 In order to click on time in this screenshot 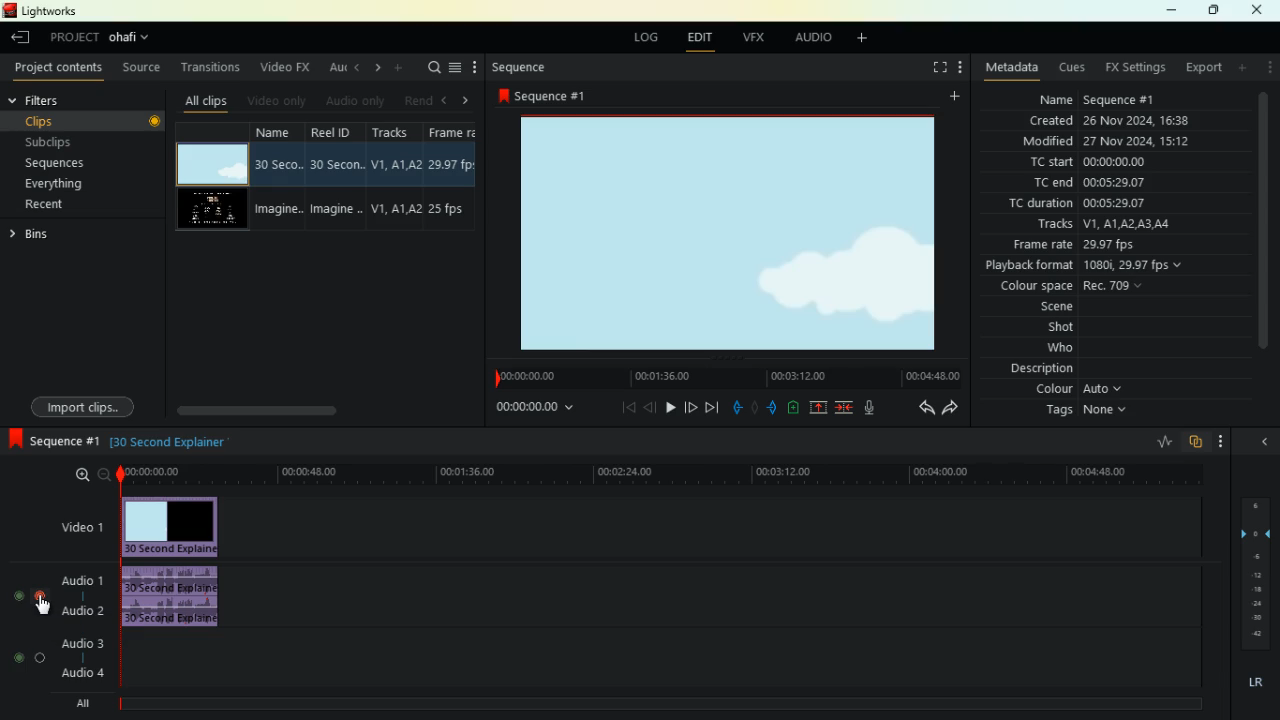, I will do `click(532, 410)`.